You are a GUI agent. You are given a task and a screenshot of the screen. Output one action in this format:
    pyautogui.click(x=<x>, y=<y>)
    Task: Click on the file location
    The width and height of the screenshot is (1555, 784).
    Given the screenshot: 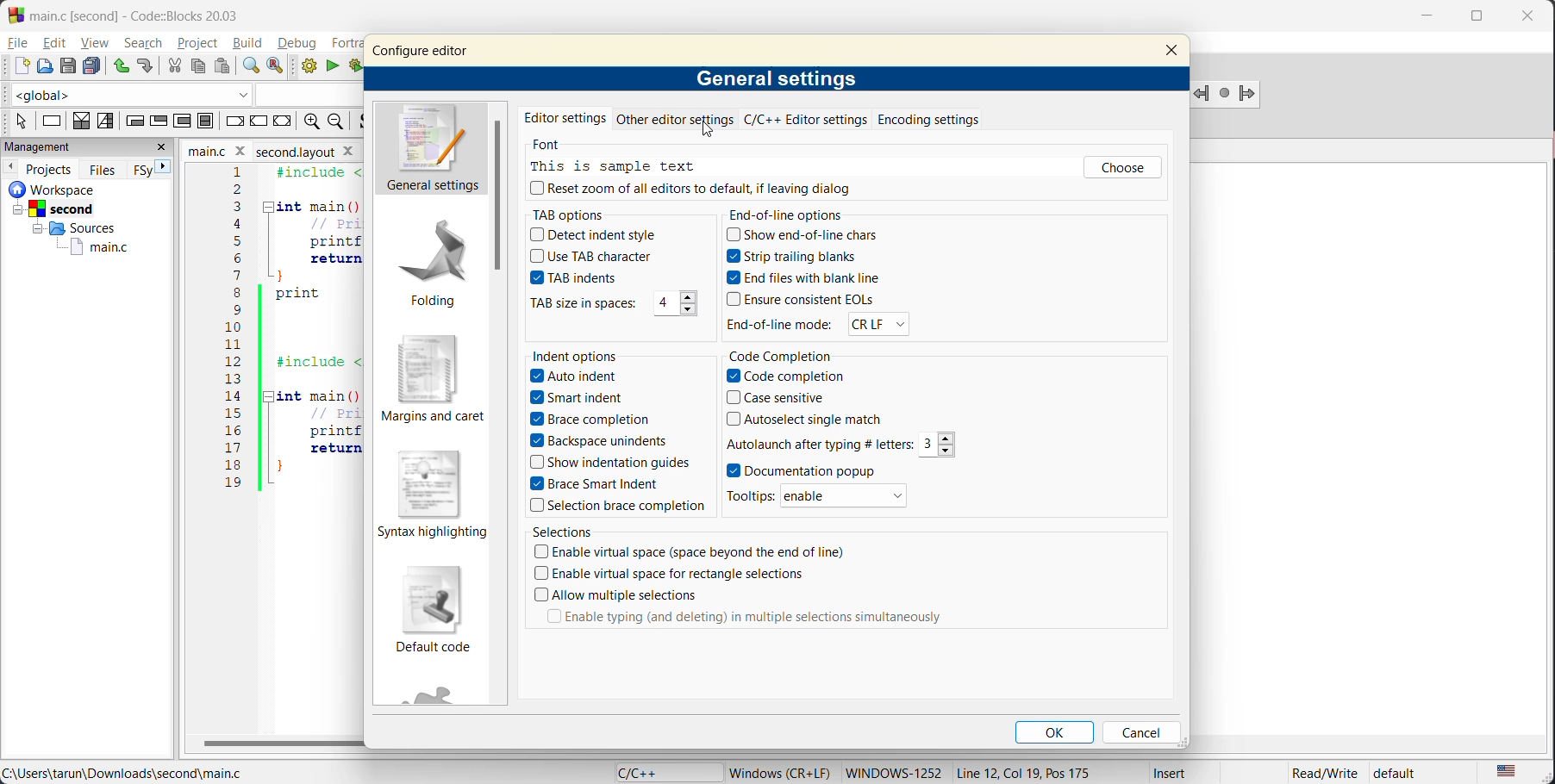 What is the action you would take?
    pyautogui.click(x=127, y=774)
    